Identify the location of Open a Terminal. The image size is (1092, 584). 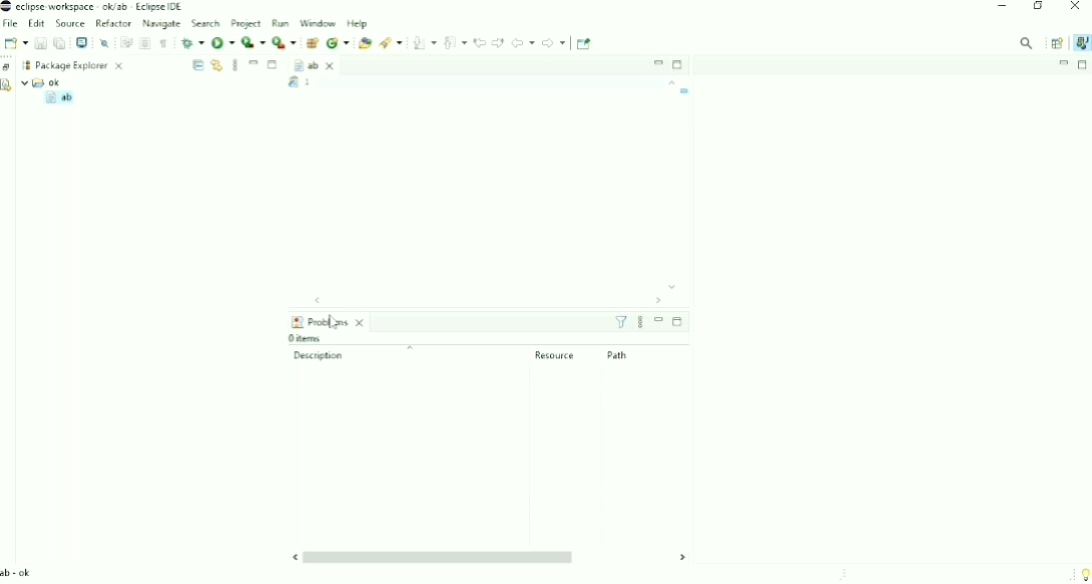
(82, 42).